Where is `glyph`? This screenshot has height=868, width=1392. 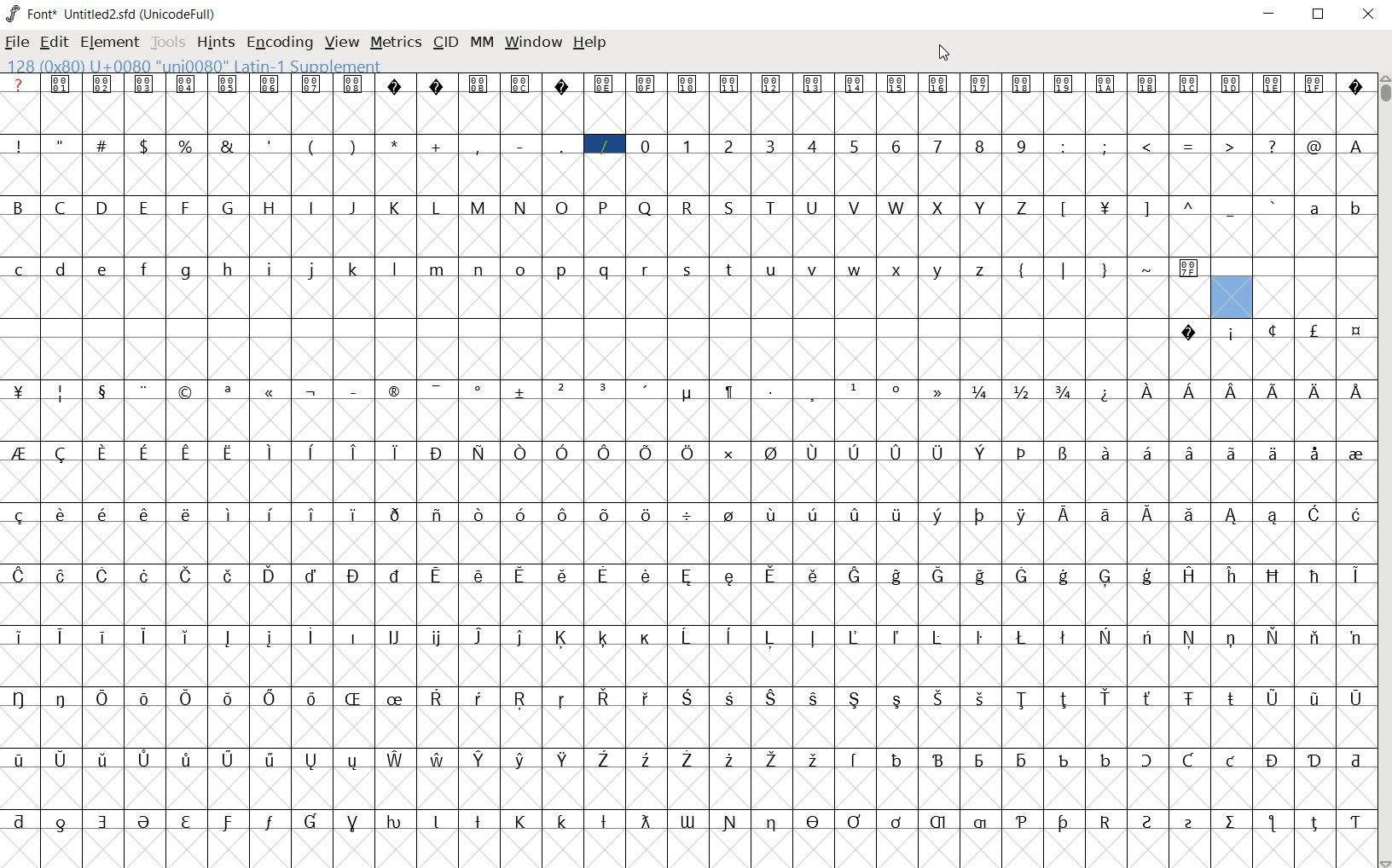
glyph is located at coordinates (1273, 453).